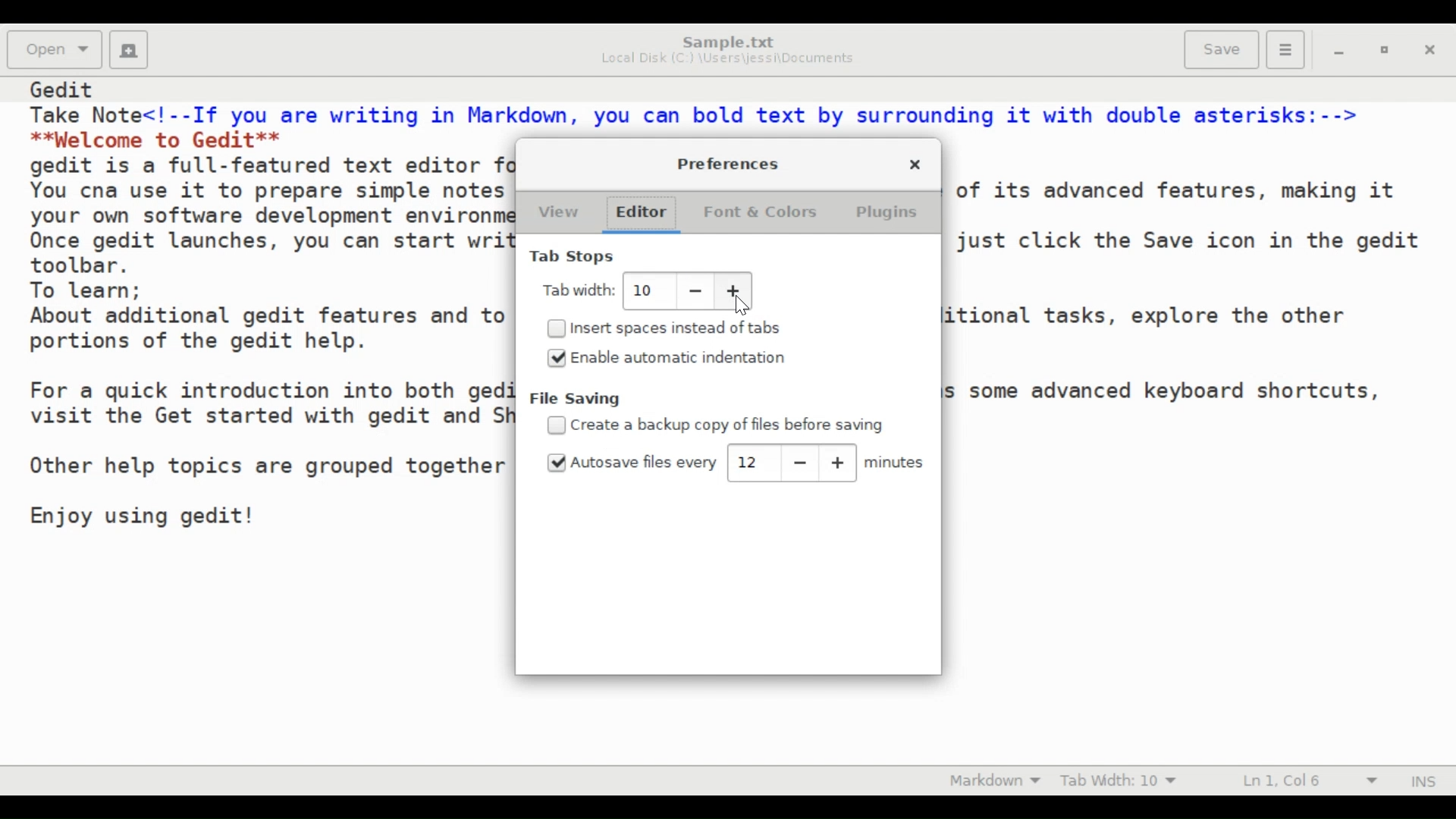 The height and width of the screenshot is (819, 1456). I want to click on Highlight Mode: Markdown, so click(1000, 780).